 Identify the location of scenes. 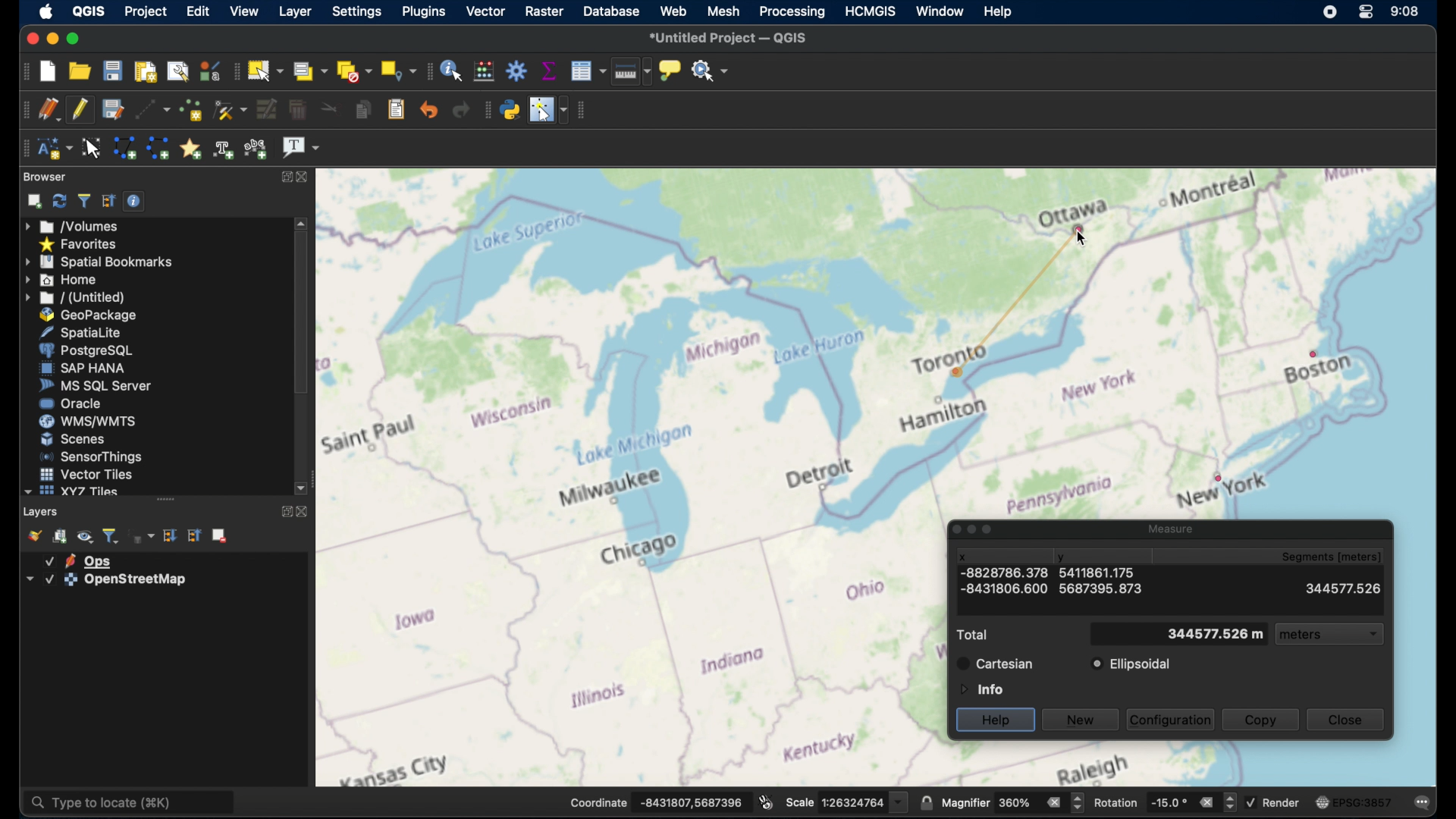
(72, 439).